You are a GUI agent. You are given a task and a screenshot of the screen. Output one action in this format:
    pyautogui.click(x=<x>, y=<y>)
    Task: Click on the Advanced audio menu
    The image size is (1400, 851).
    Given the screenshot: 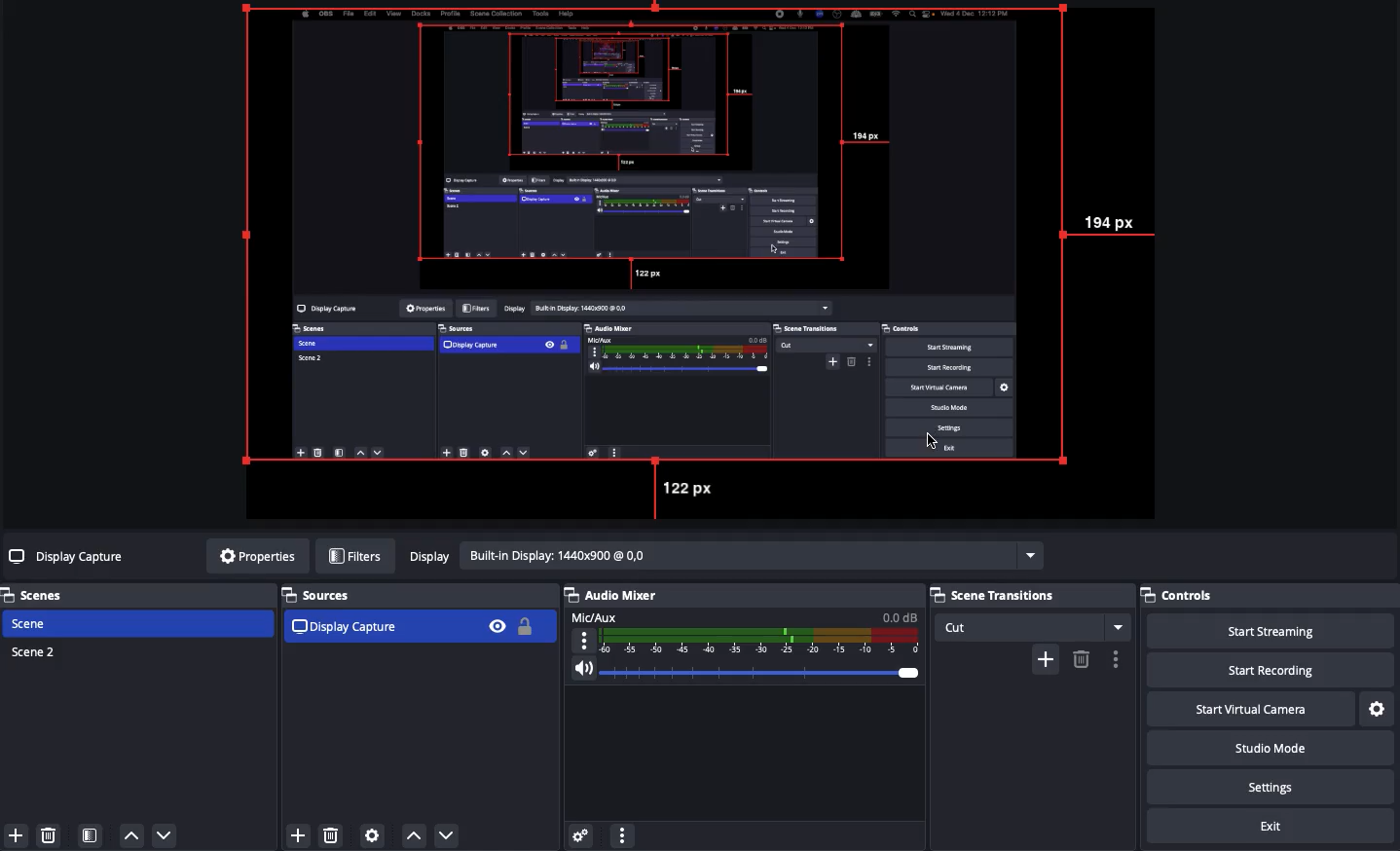 What is the action you would take?
    pyautogui.click(x=580, y=833)
    